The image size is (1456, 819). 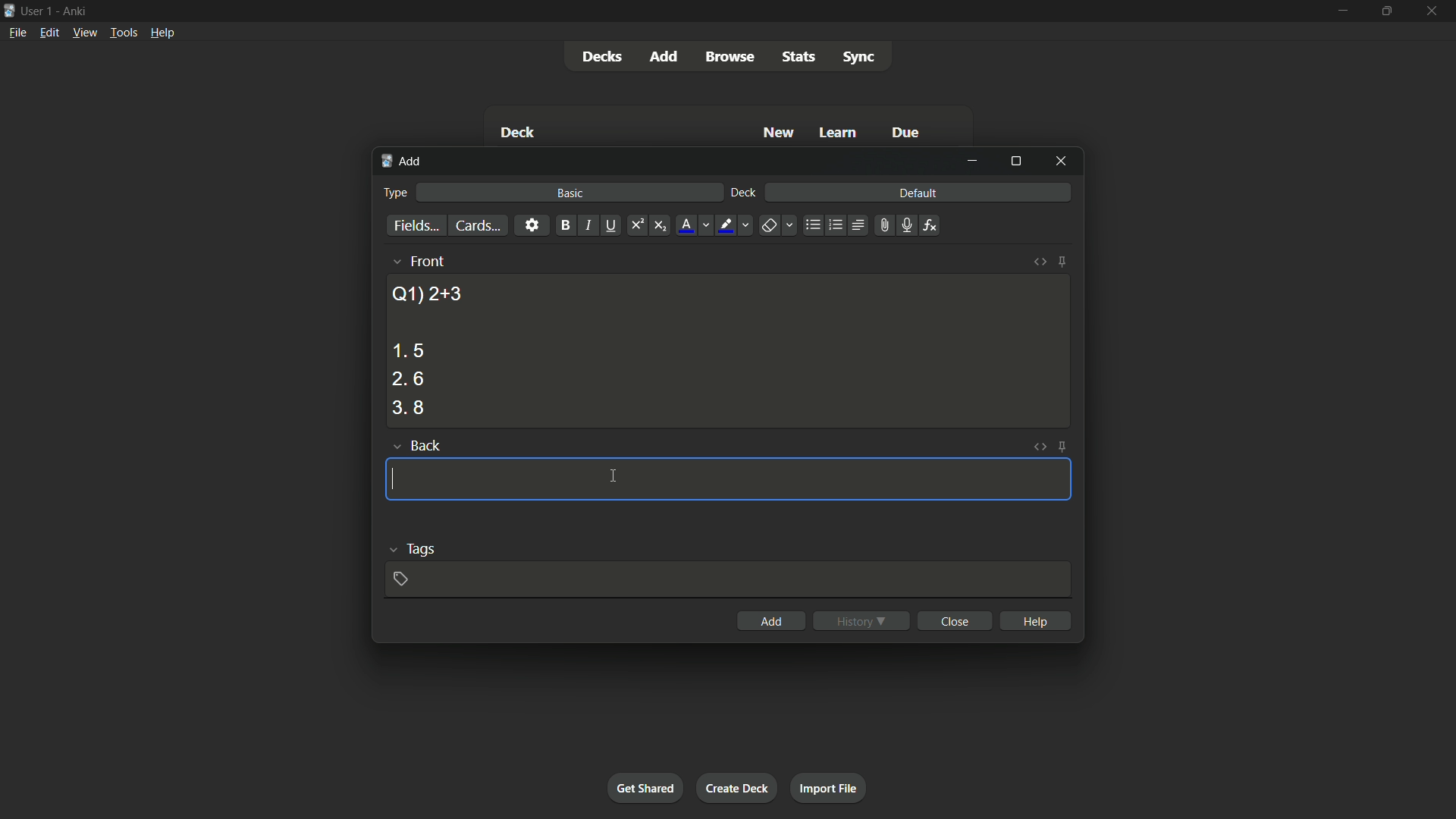 I want to click on question, so click(x=427, y=293).